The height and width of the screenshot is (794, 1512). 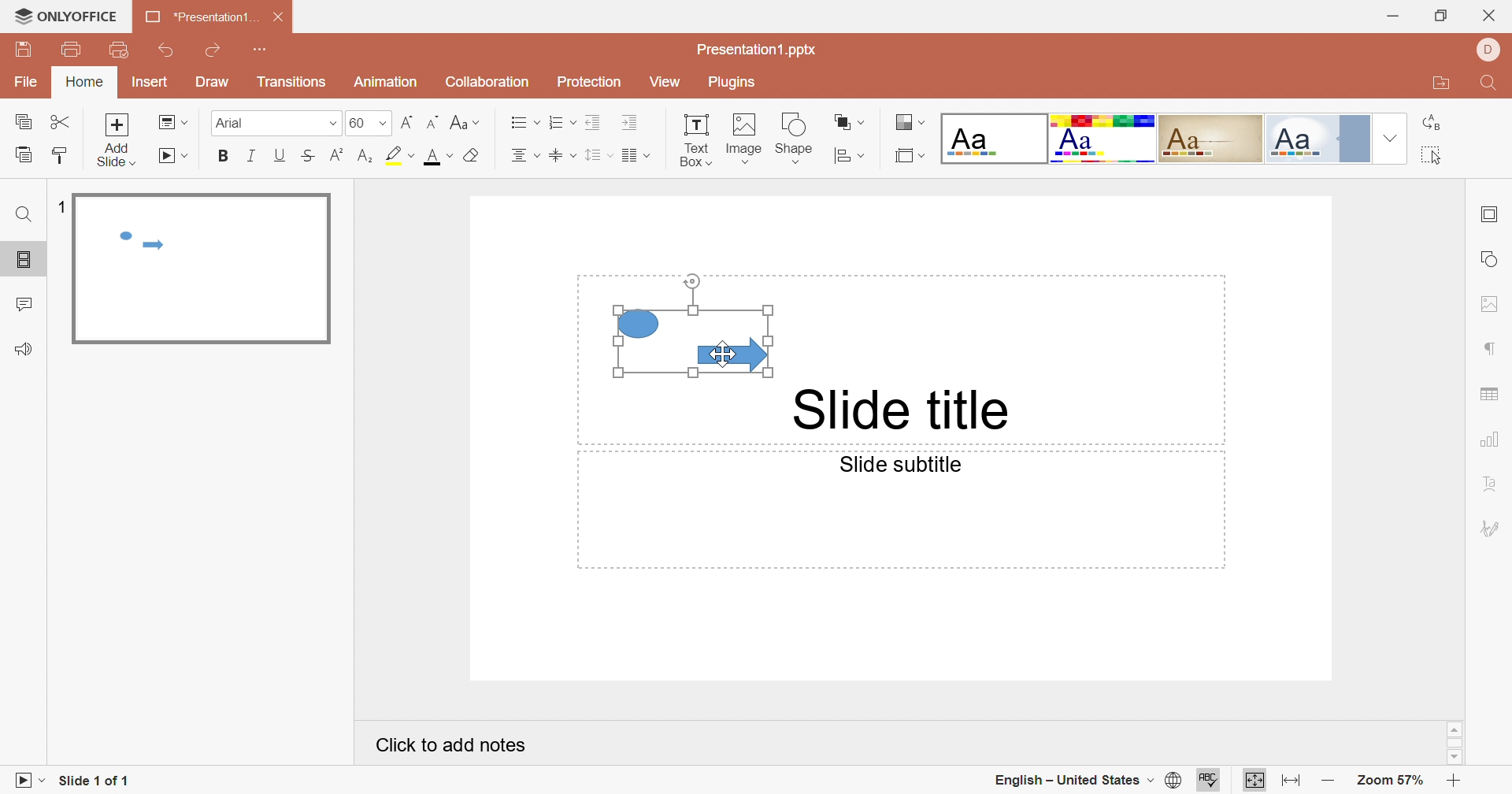 What do you see at coordinates (72, 50) in the screenshot?
I see `Print` at bounding box center [72, 50].